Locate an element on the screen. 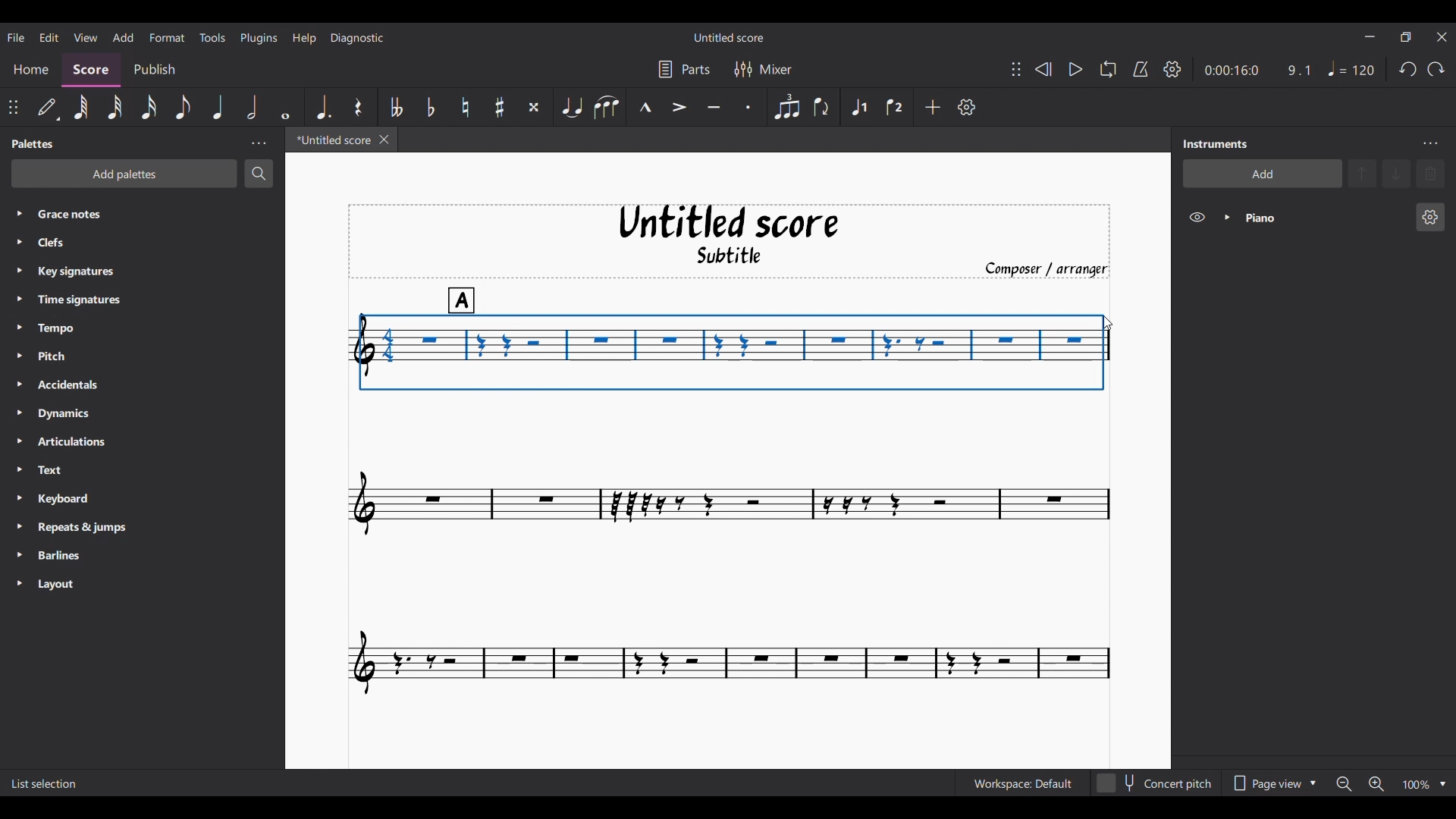  Tempo is located at coordinates (85, 329).